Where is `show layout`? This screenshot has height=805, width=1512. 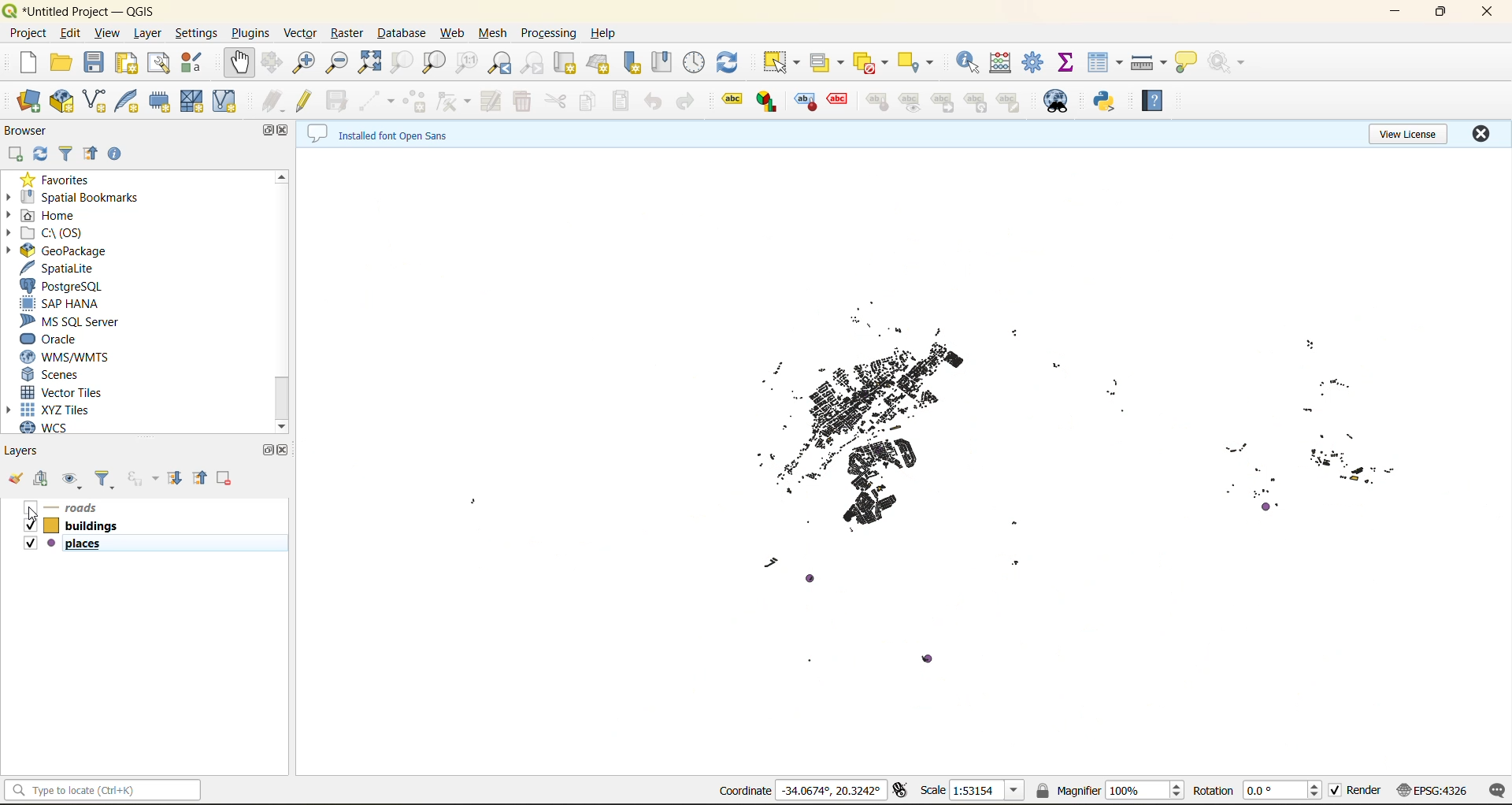
show layout is located at coordinates (160, 65).